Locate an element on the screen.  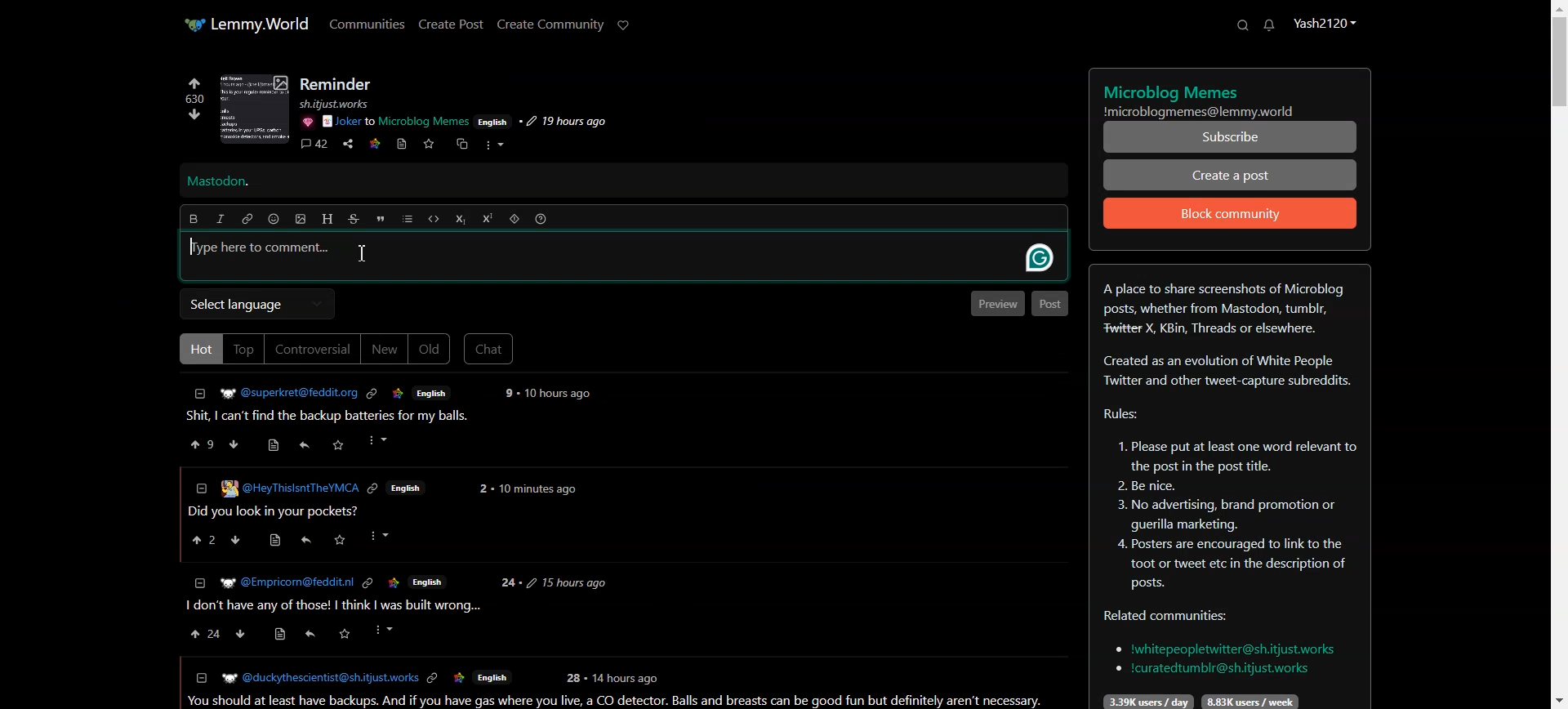
10 minutes ago is located at coordinates (537, 491).